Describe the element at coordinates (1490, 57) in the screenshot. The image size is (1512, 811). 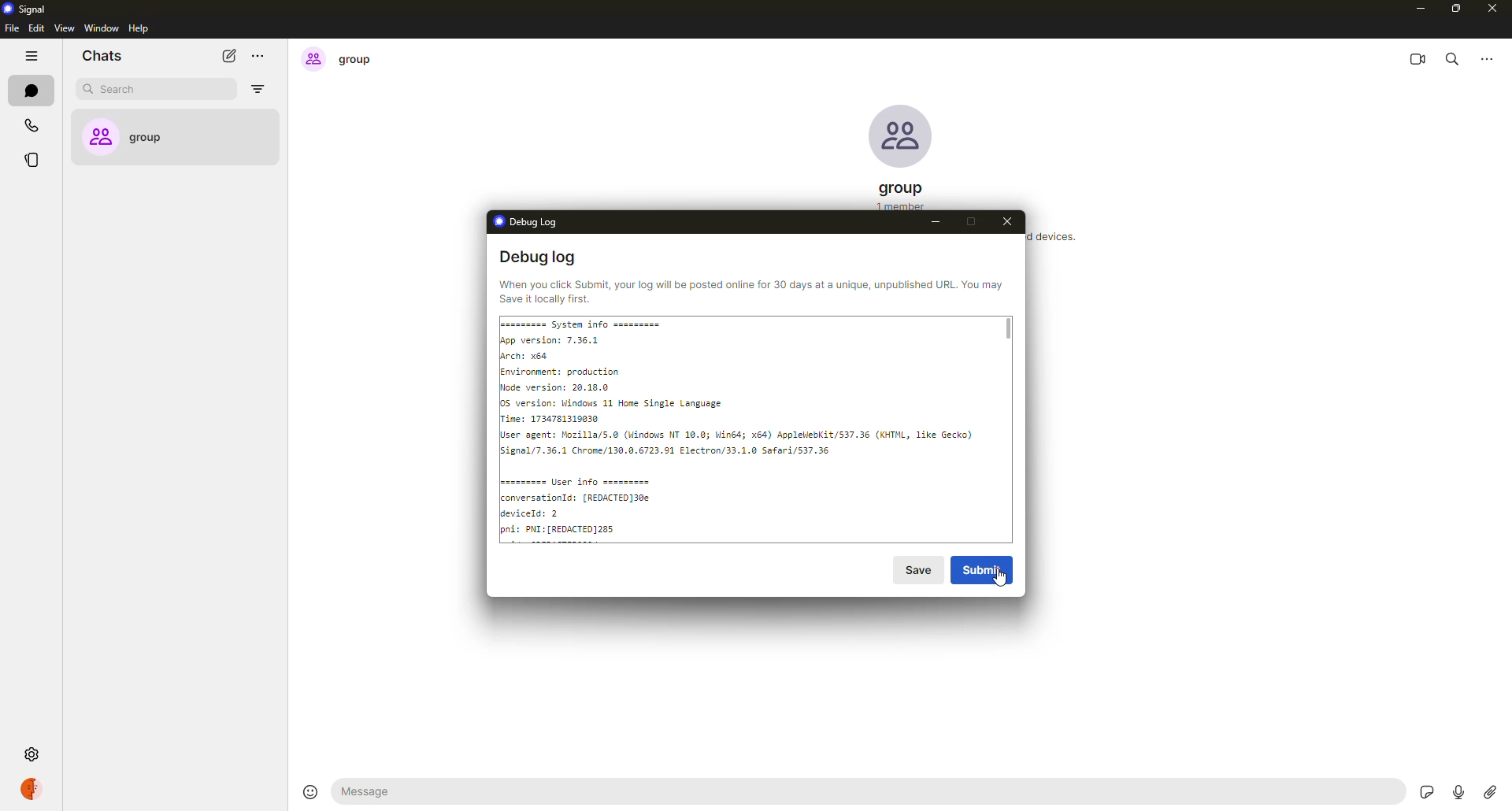
I see `more` at that location.